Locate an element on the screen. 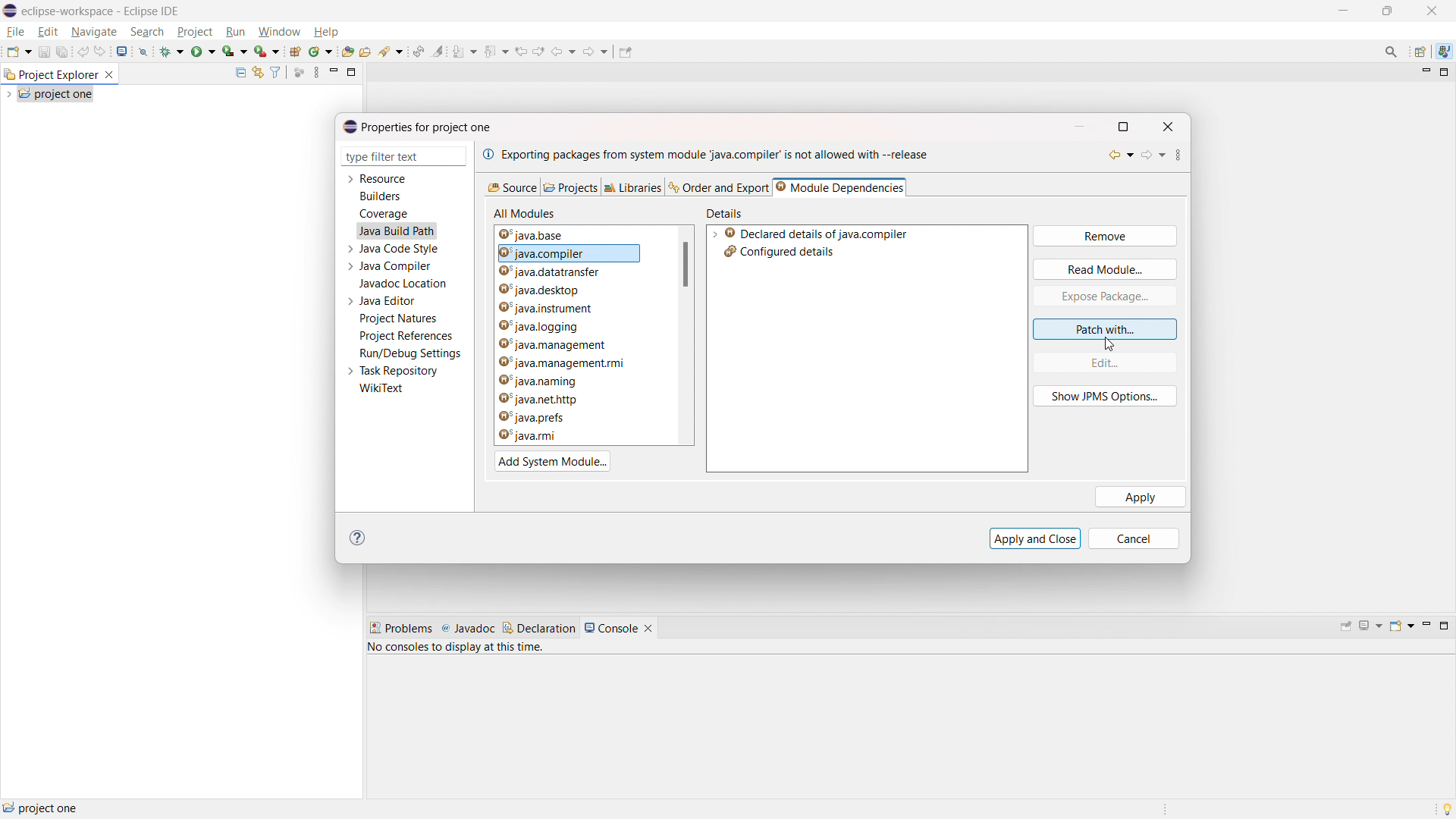 Image resolution: width=1456 pixels, height=819 pixels. pin console is located at coordinates (1346, 627).